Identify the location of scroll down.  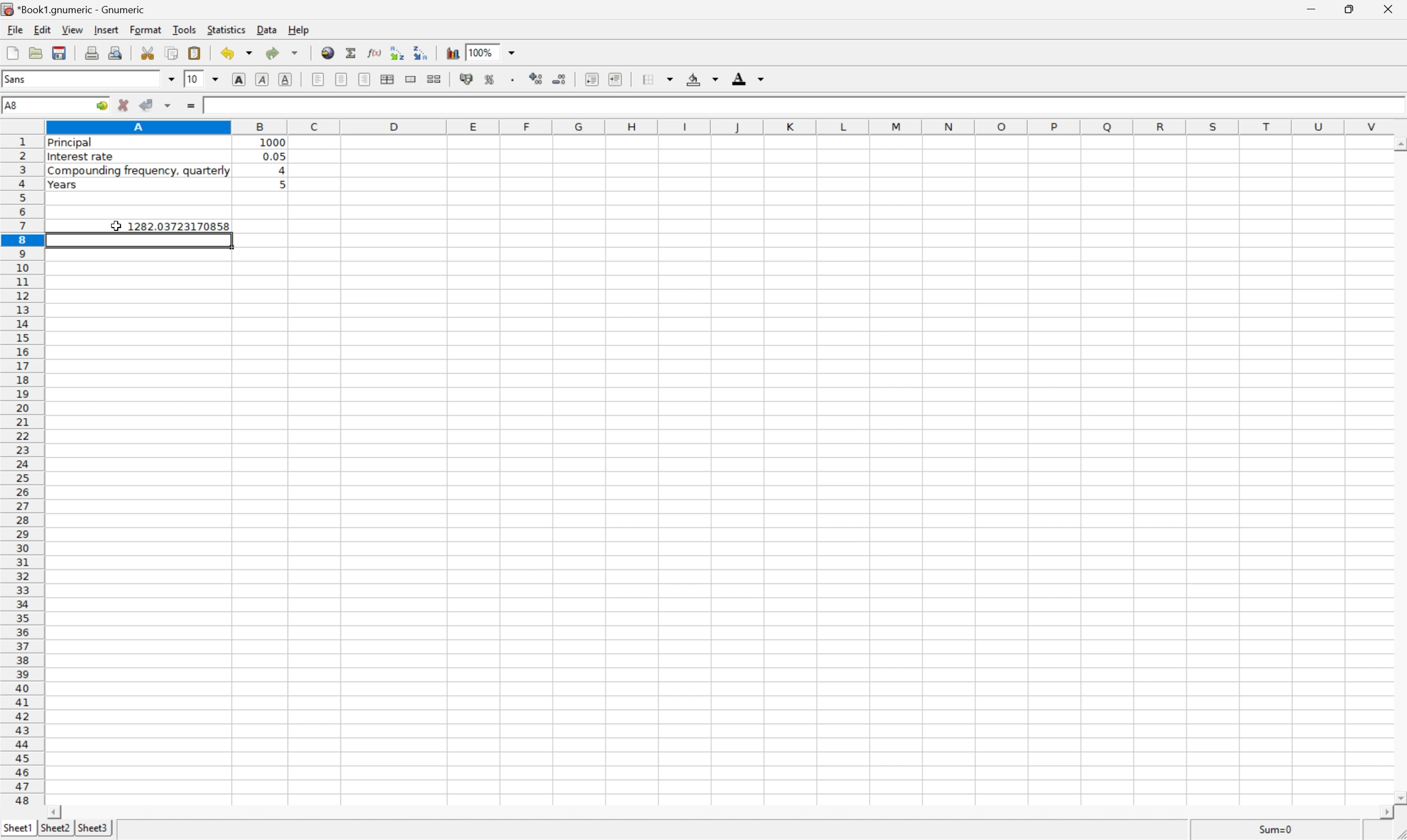
(1398, 794).